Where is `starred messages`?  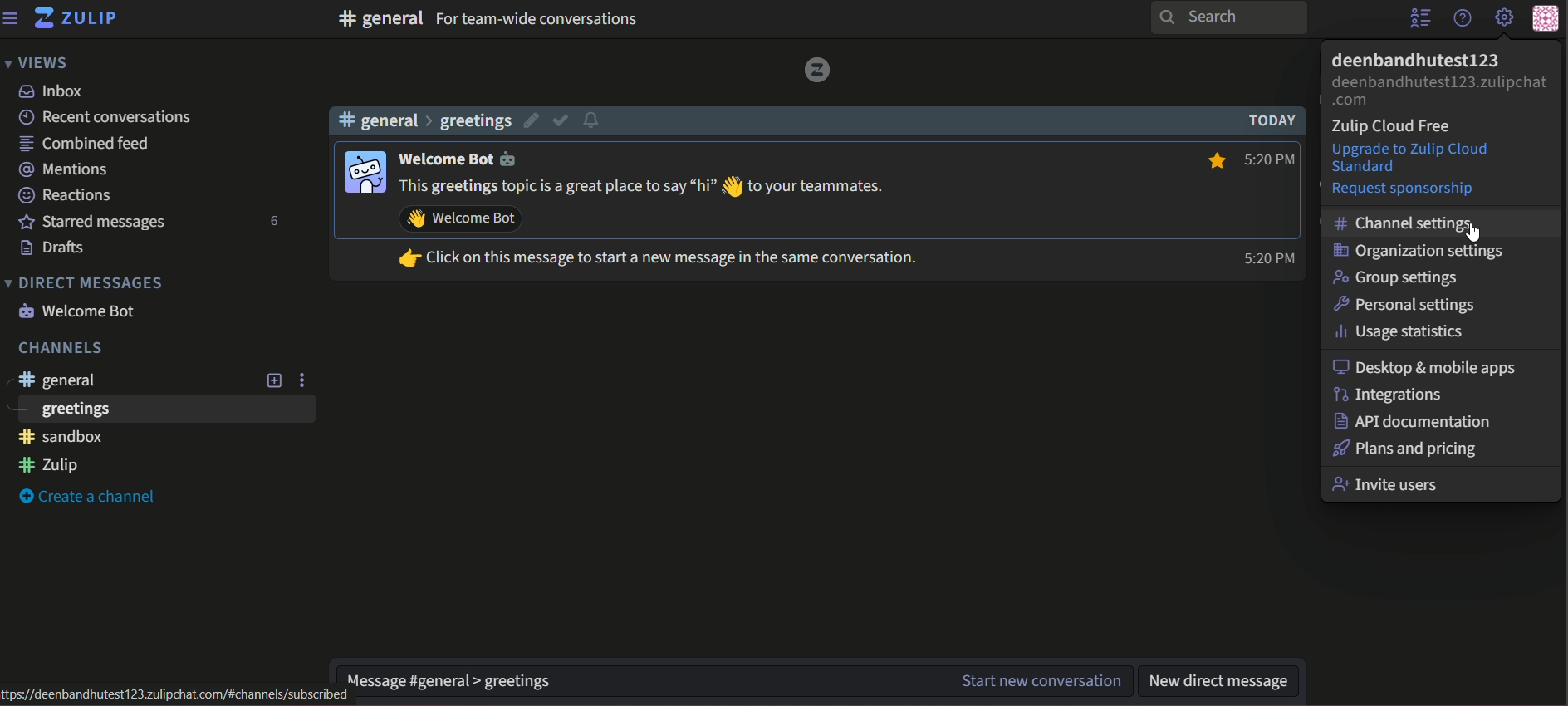 starred messages is located at coordinates (90, 222).